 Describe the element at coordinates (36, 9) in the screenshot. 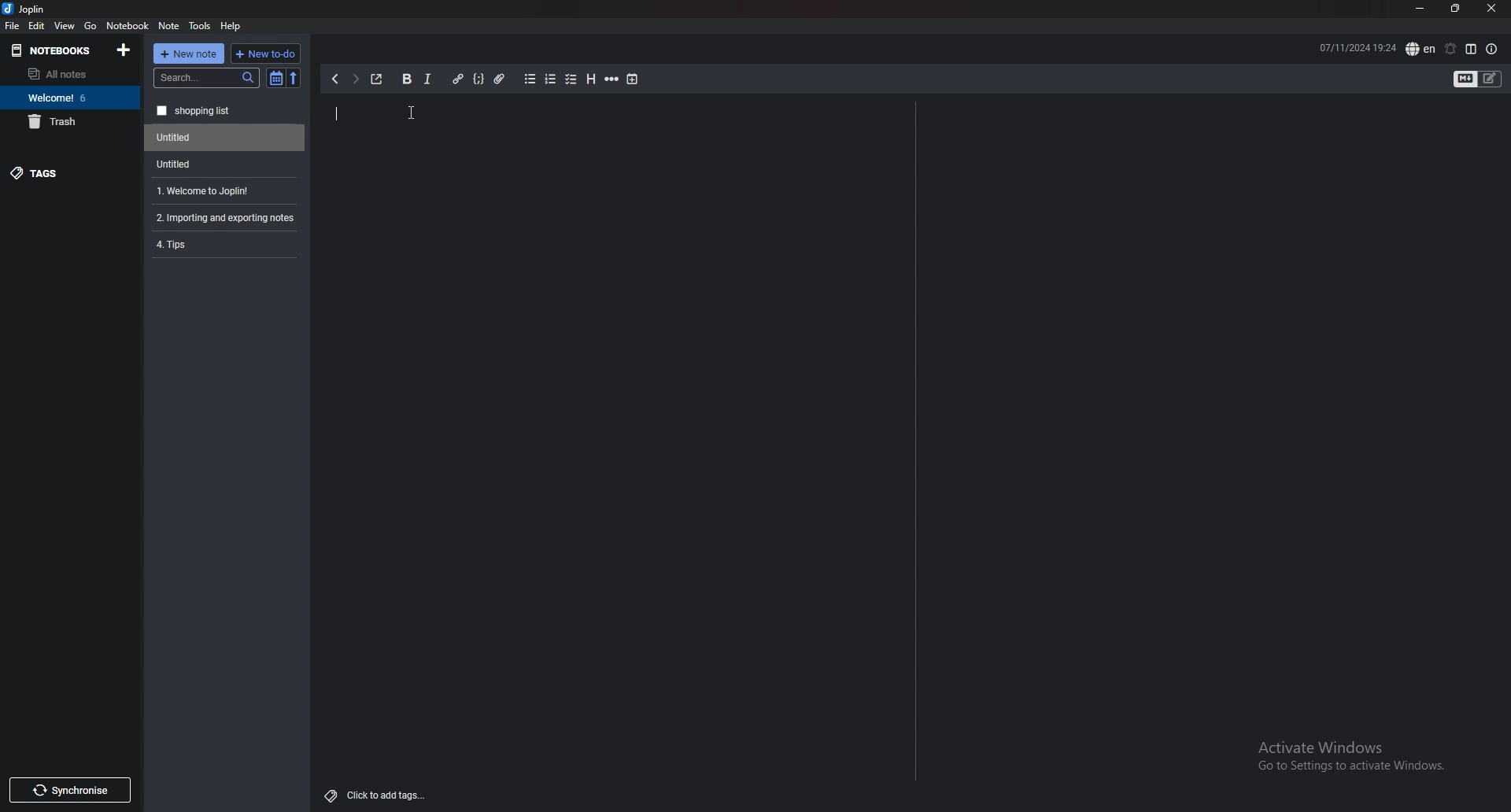

I see `Joplin` at that location.